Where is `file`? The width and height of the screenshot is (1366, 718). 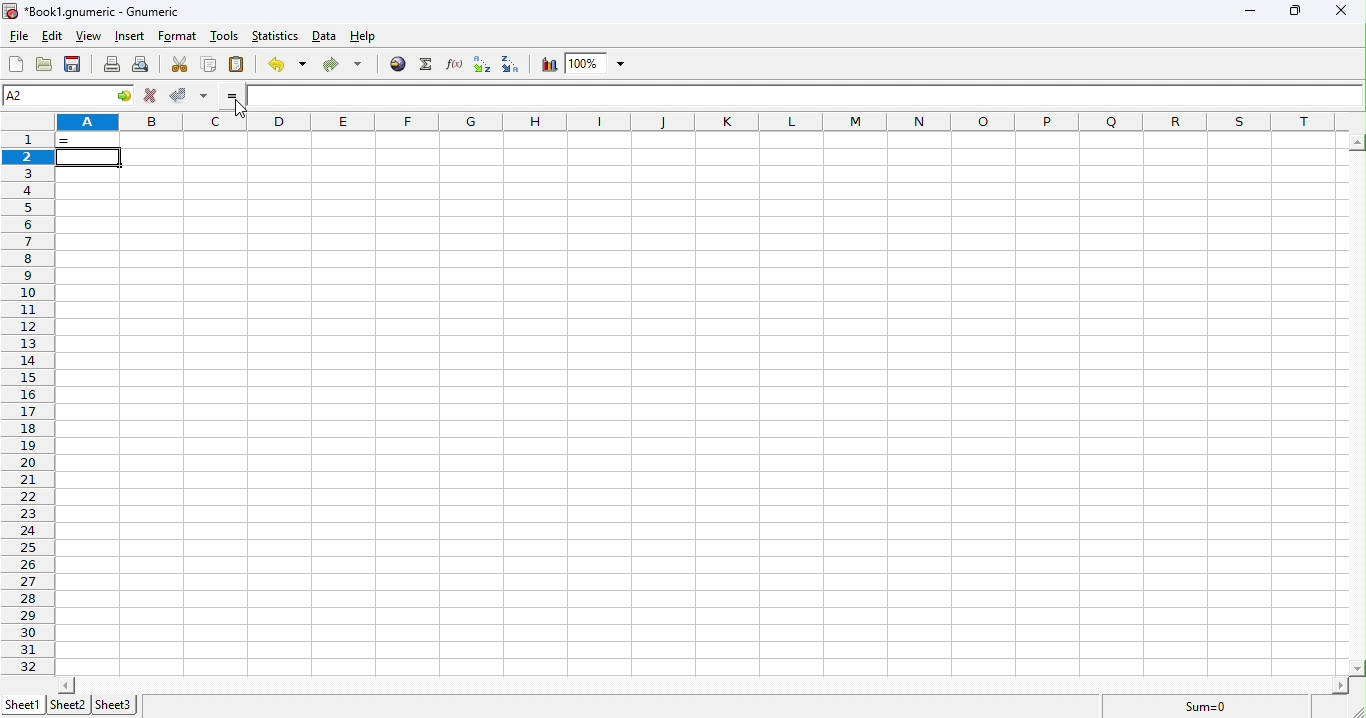 file is located at coordinates (21, 35).